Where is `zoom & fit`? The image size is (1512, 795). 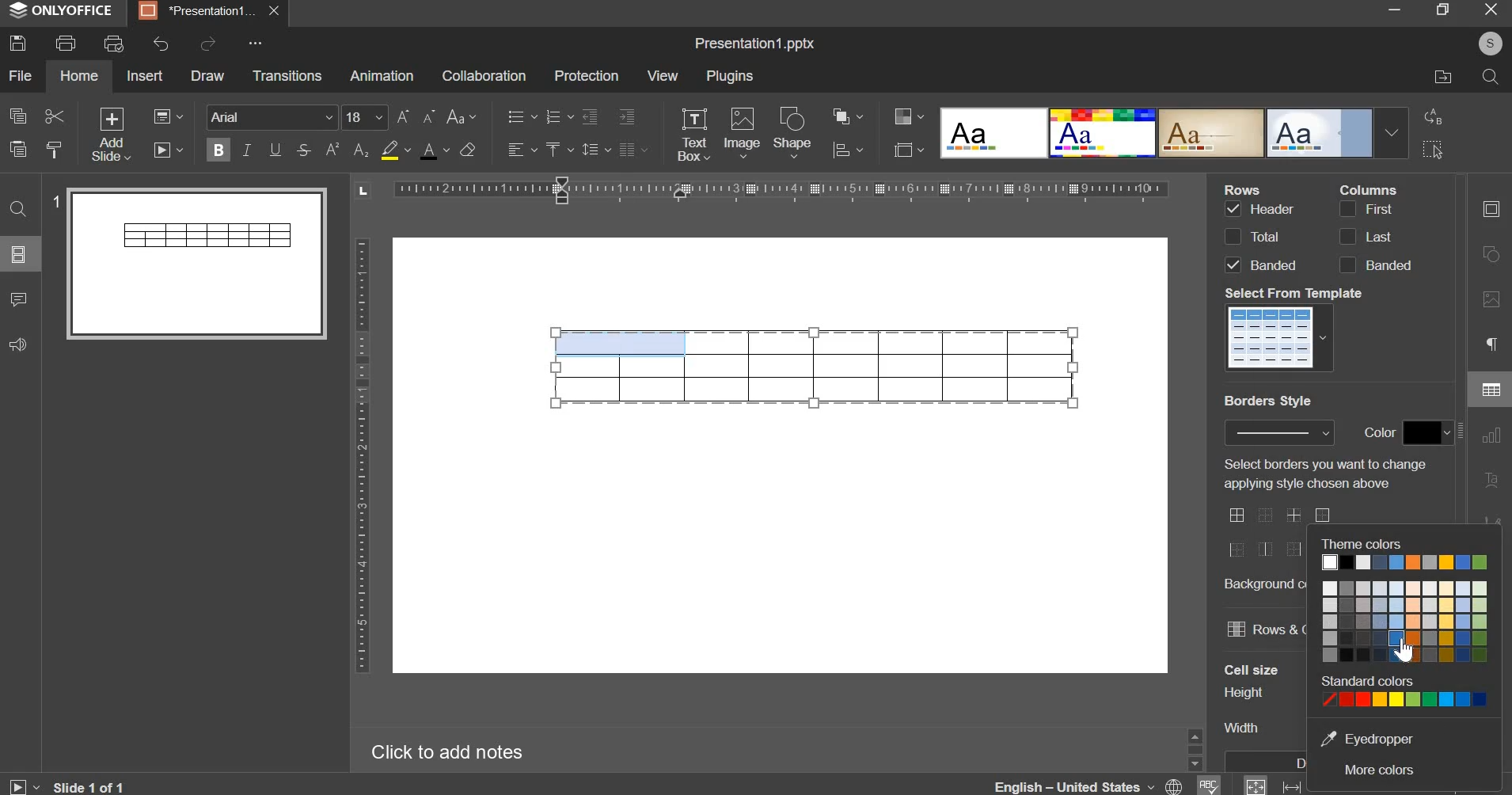
zoom & fit is located at coordinates (1276, 785).